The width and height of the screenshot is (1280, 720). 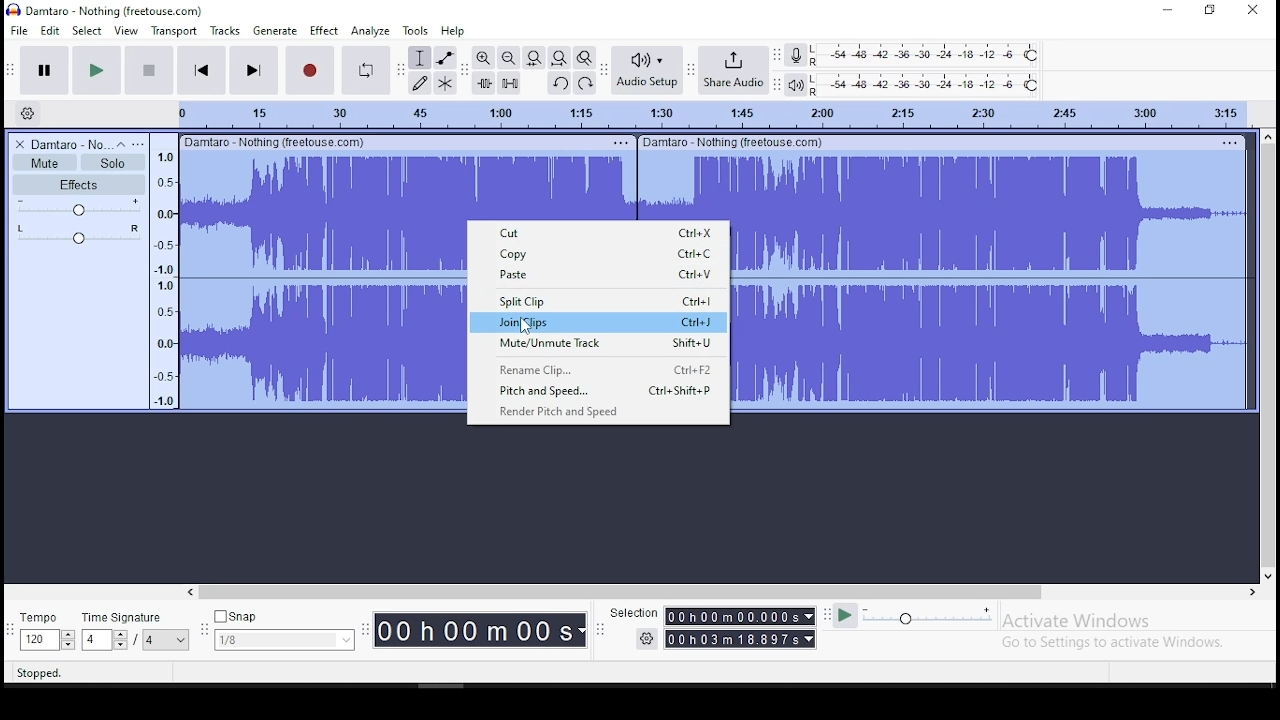 What do you see at coordinates (701, 114) in the screenshot?
I see `timeline` at bounding box center [701, 114].